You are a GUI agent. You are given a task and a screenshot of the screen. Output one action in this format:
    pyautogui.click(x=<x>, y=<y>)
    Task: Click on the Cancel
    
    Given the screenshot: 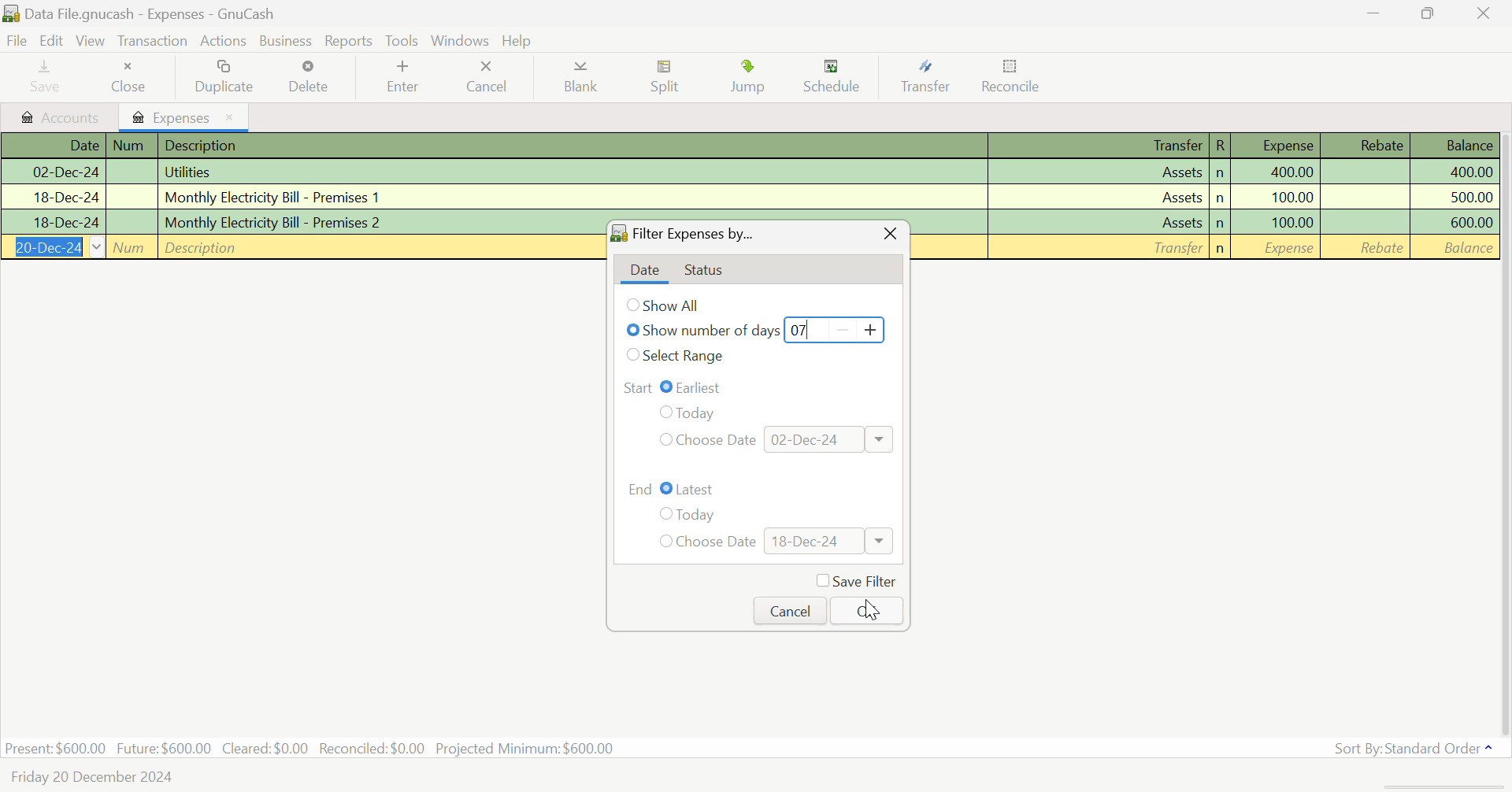 What is the action you would take?
    pyautogui.click(x=789, y=612)
    